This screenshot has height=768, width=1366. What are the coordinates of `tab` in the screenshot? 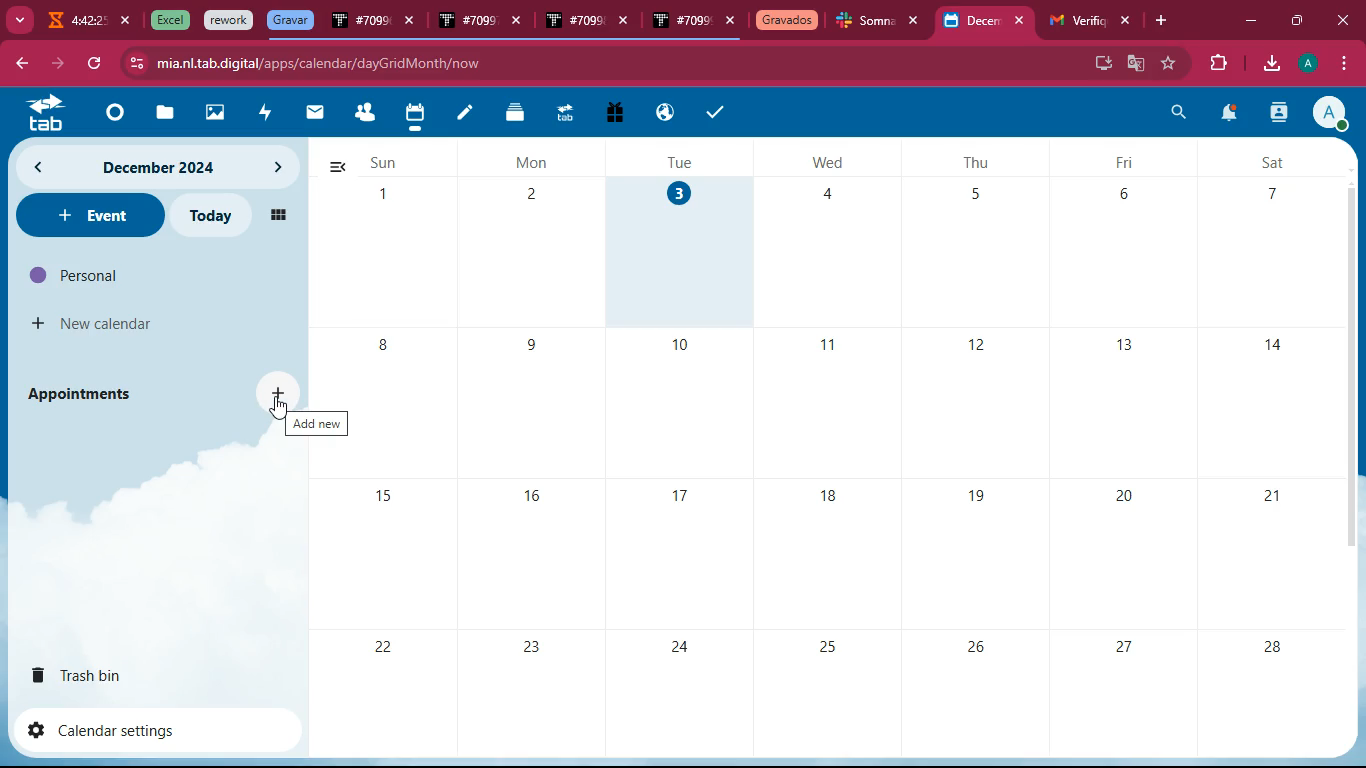 It's located at (681, 23).